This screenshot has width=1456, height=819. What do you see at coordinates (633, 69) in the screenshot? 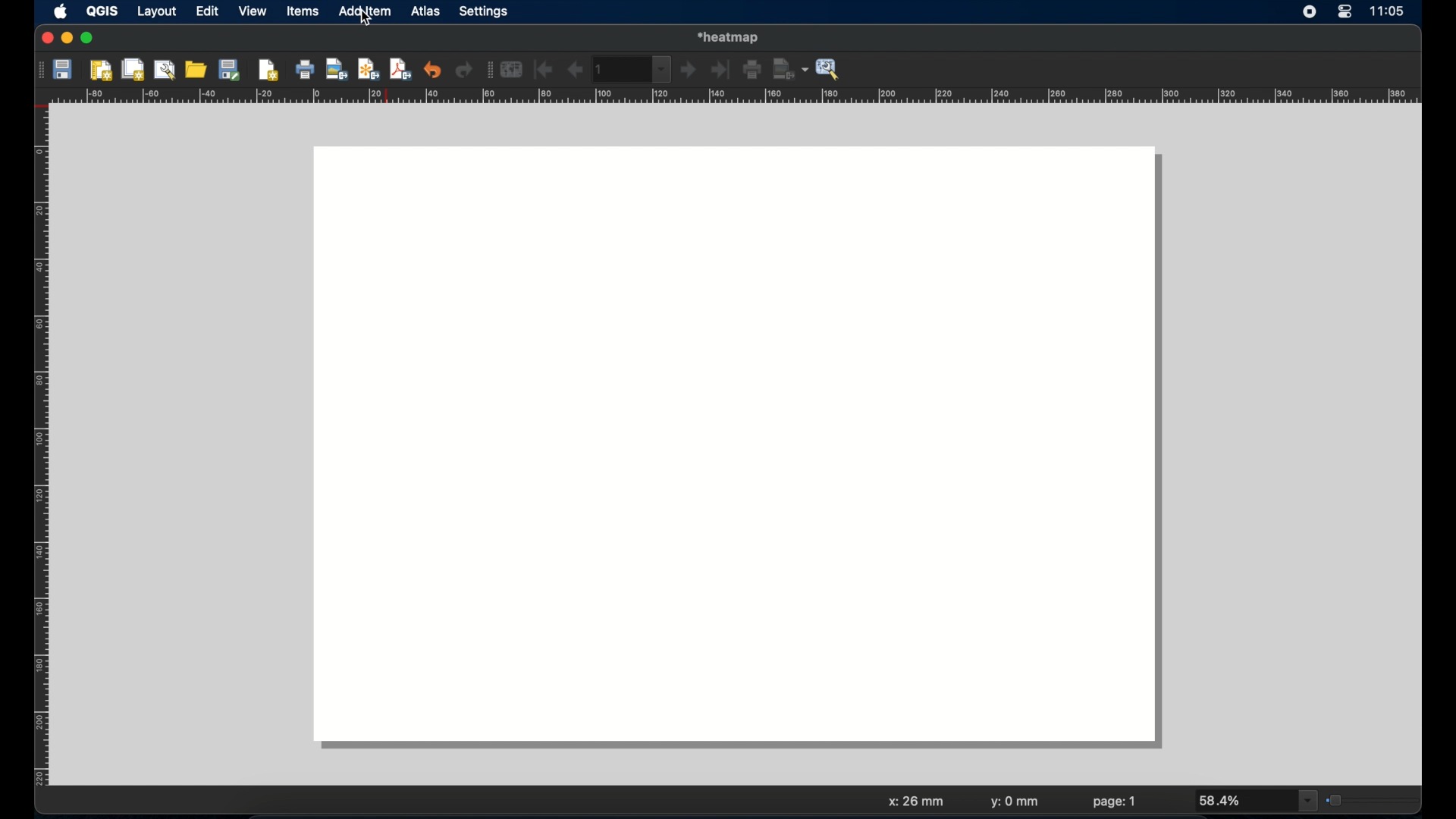
I see `atlas toolbar` at bounding box center [633, 69].